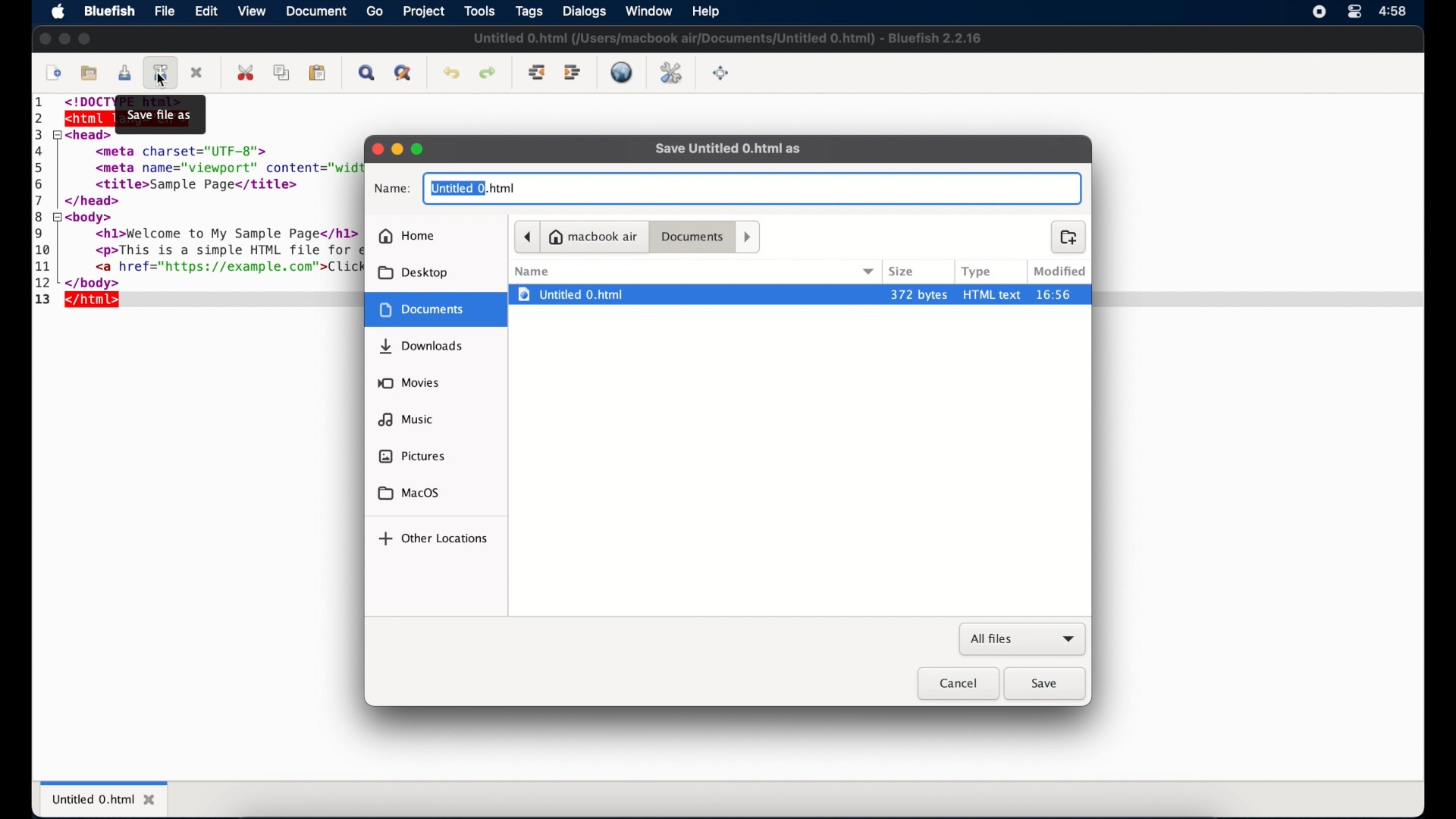 This screenshot has width=1456, height=819. Describe the element at coordinates (39, 233) in the screenshot. I see `9` at that location.